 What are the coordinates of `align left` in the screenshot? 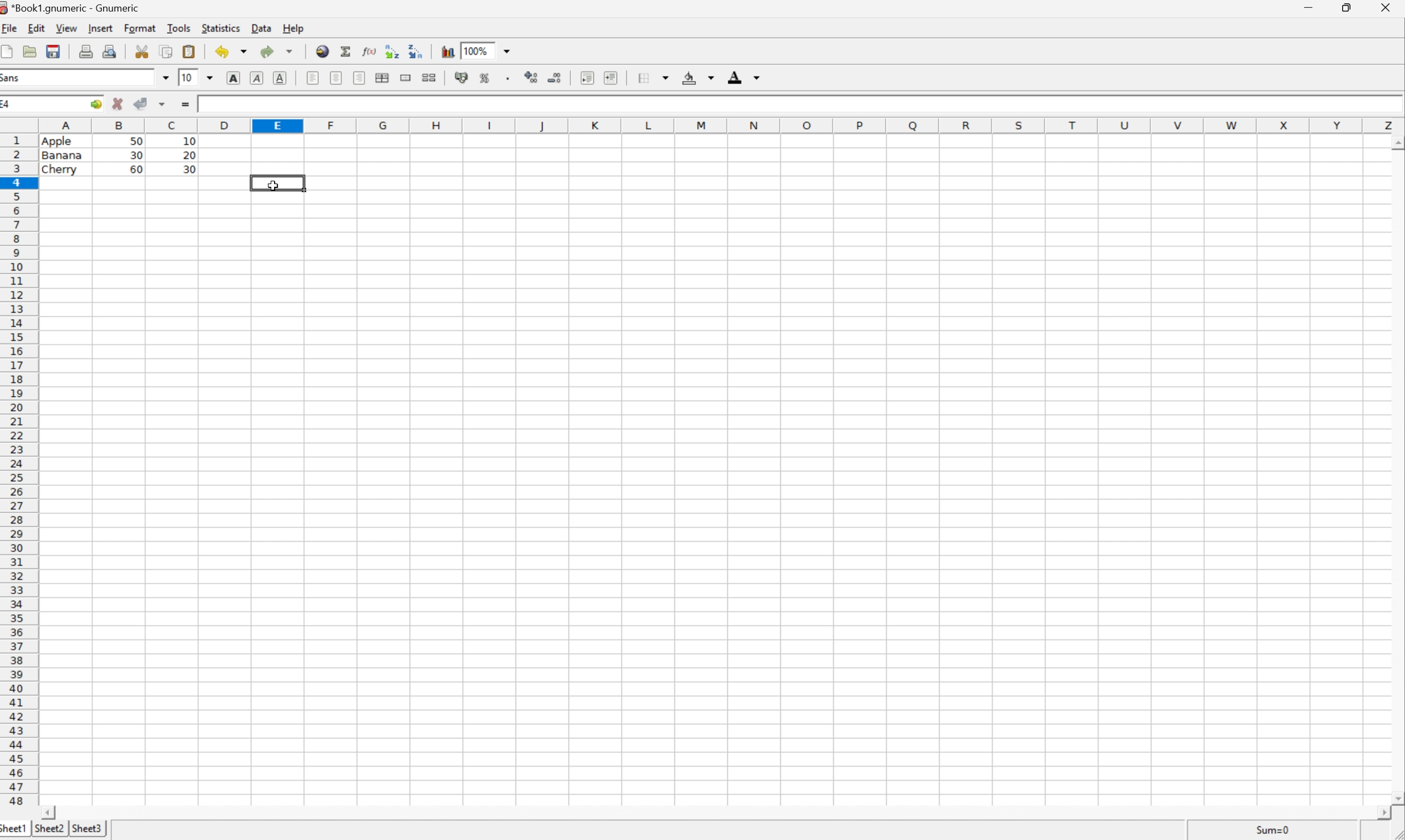 It's located at (310, 78).